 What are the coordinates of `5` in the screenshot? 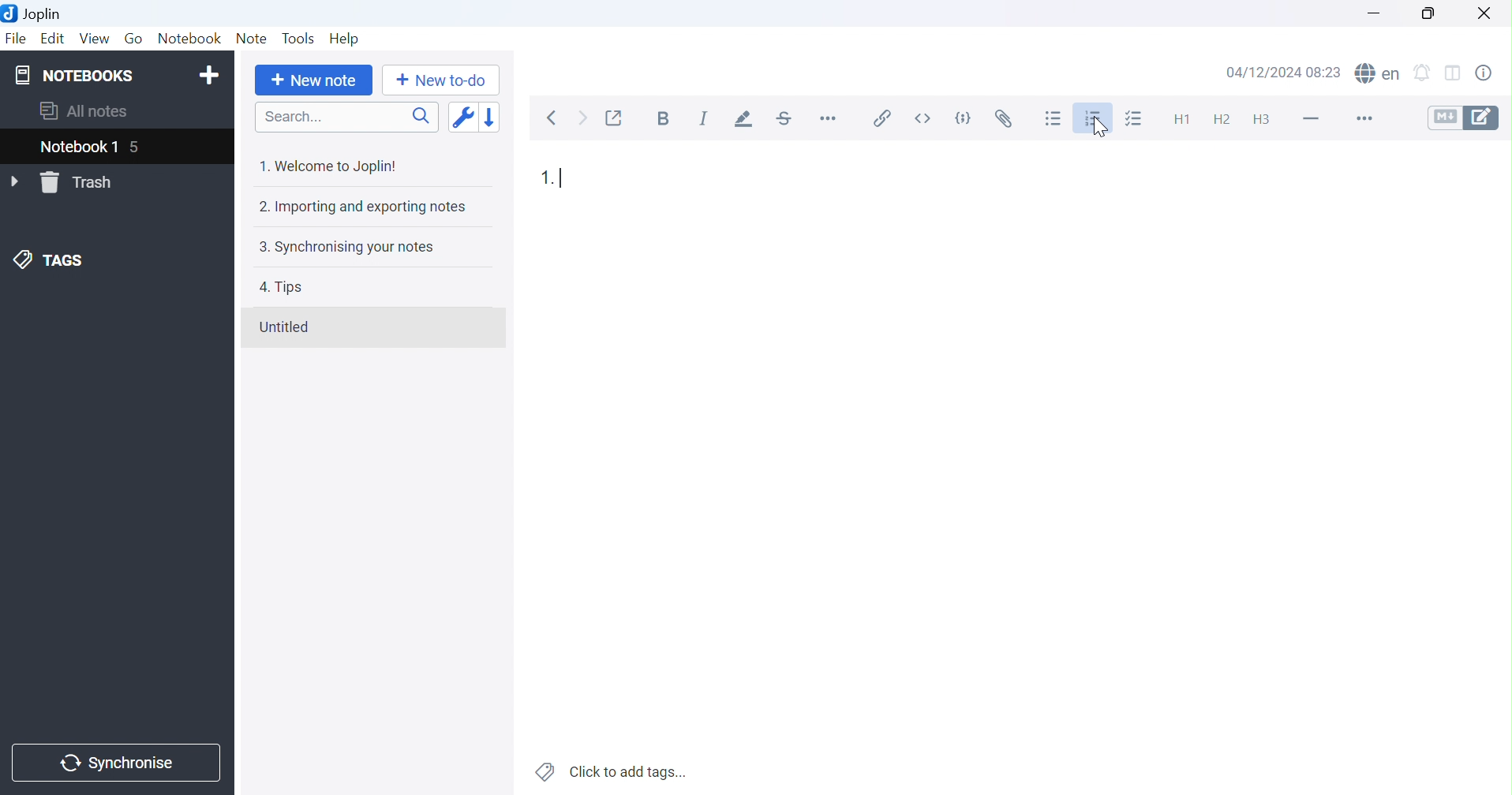 It's located at (143, 148).